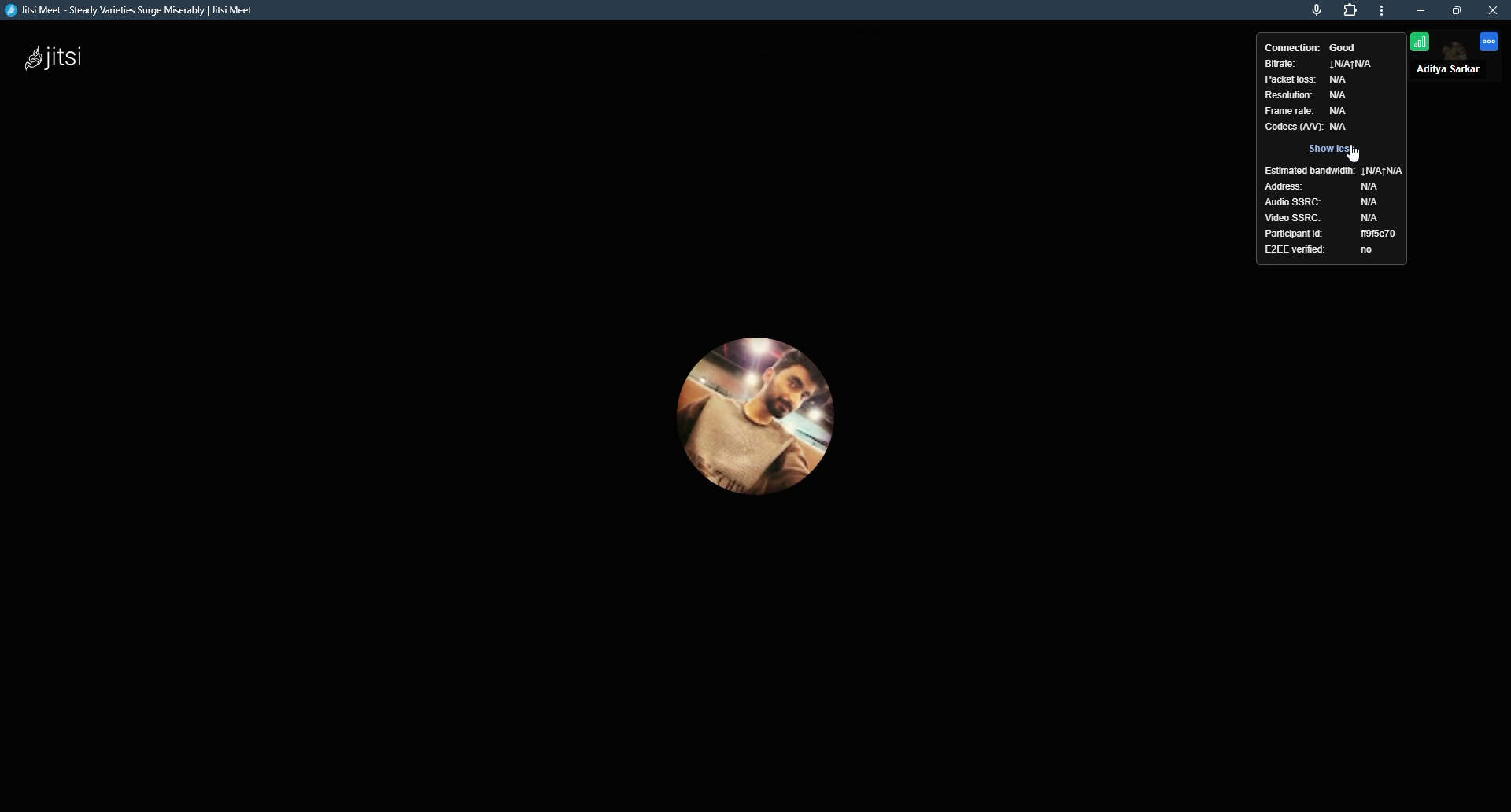  I want to click on microphone, so click(1306, 9).